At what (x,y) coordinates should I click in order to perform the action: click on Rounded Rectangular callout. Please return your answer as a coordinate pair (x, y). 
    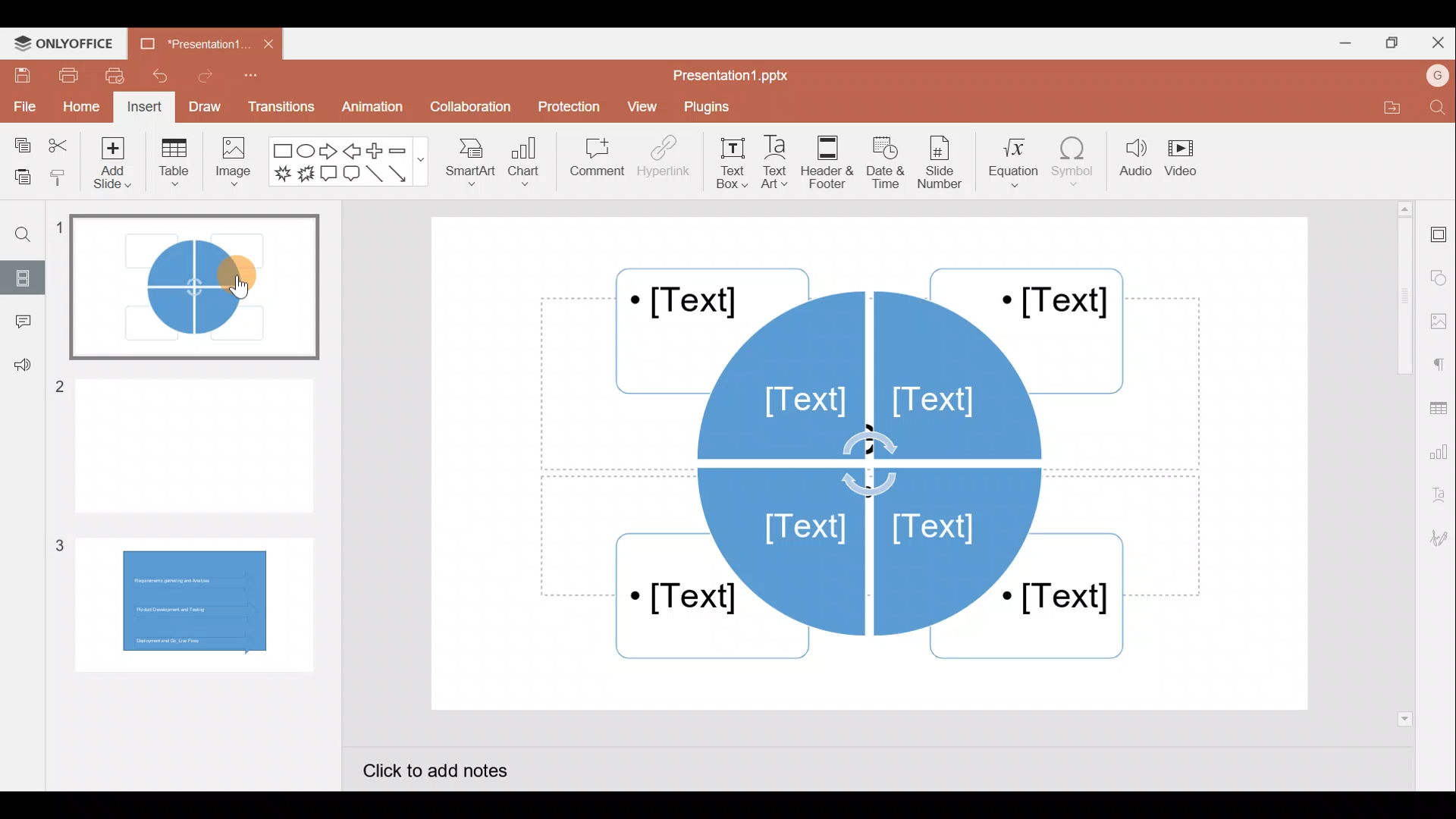
    Looking at the image, I should click on (351, 176).